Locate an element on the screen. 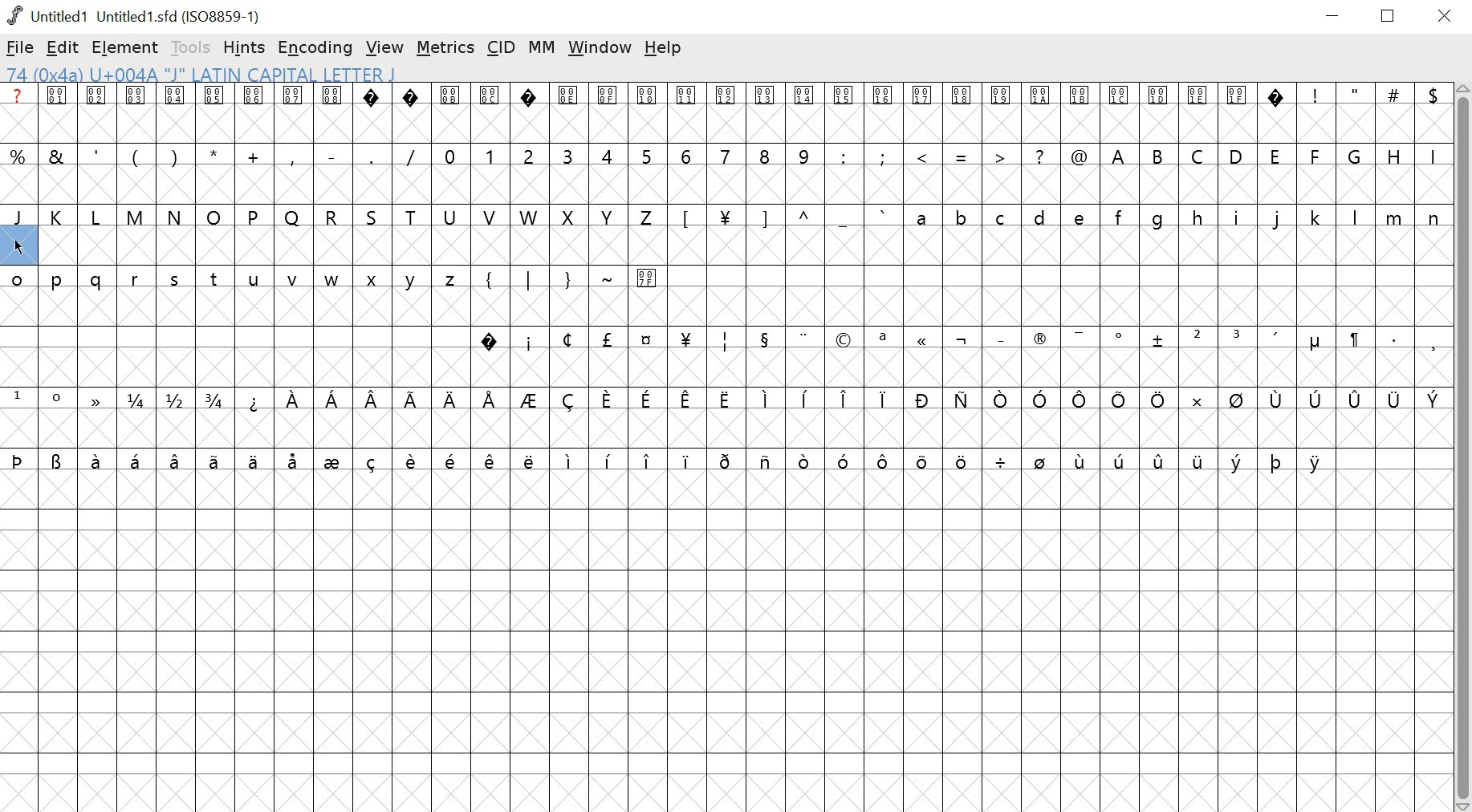 This screenshot has height=812, width=1472. symbols is located at coordinates (783, 217).